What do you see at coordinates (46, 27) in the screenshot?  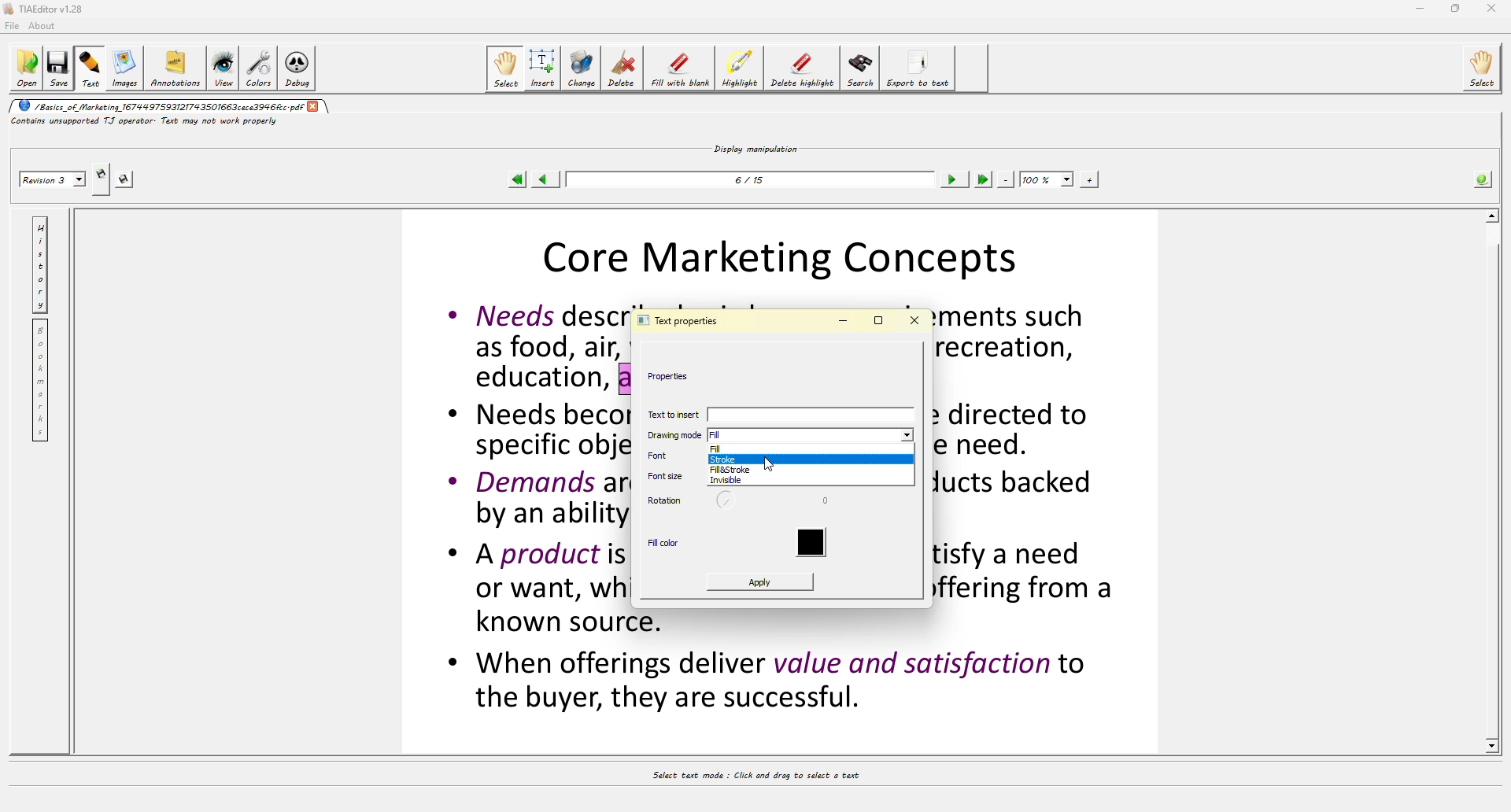 I see `about` at bounding box center [46, 27].